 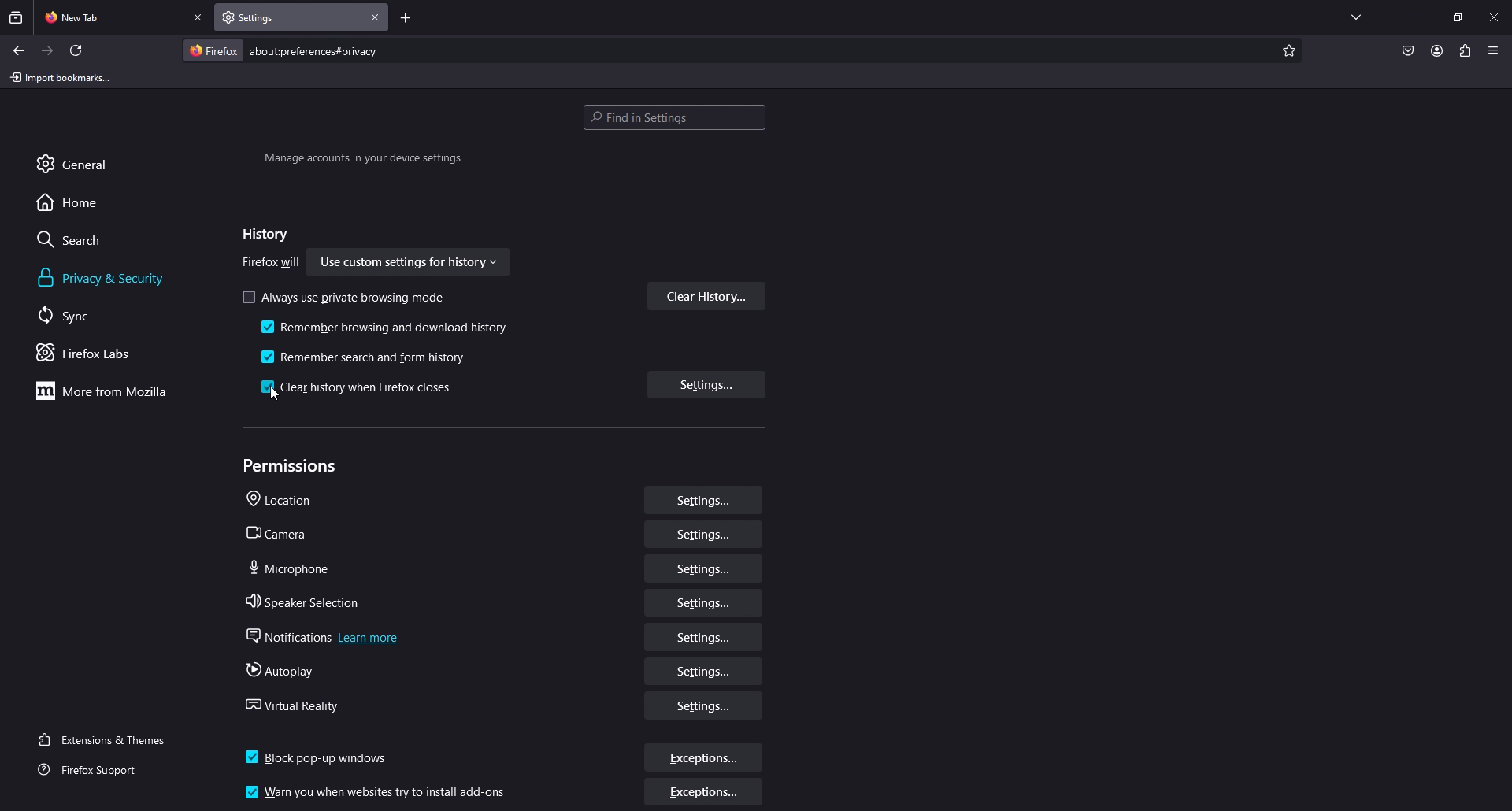 I want to click on save to pocket, so click(x=1407, y=52).